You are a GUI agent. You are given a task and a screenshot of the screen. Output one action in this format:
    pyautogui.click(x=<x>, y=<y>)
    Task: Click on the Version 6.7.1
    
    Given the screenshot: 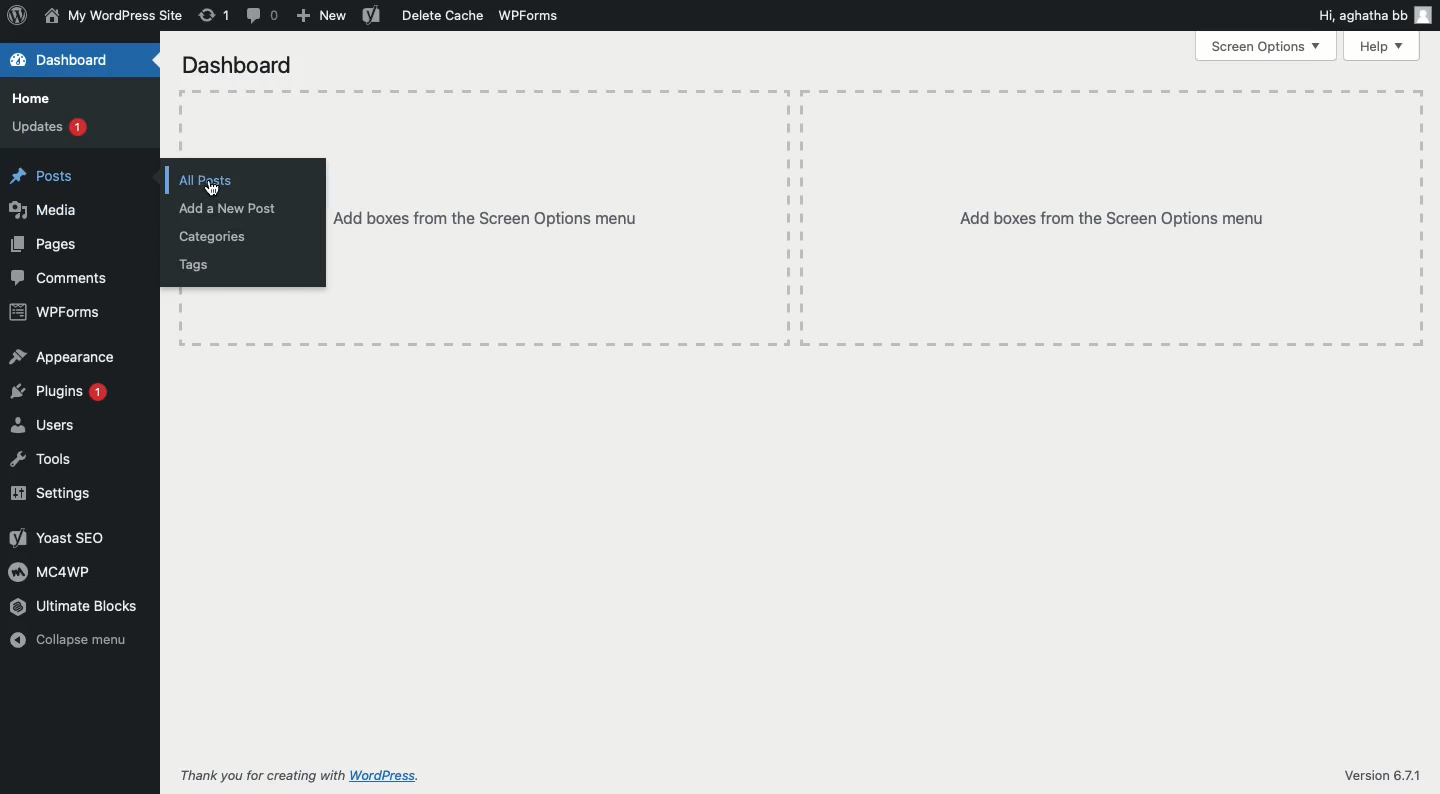 What is the action you would take?
    pyautogui.click(x=1370, y=770)
    